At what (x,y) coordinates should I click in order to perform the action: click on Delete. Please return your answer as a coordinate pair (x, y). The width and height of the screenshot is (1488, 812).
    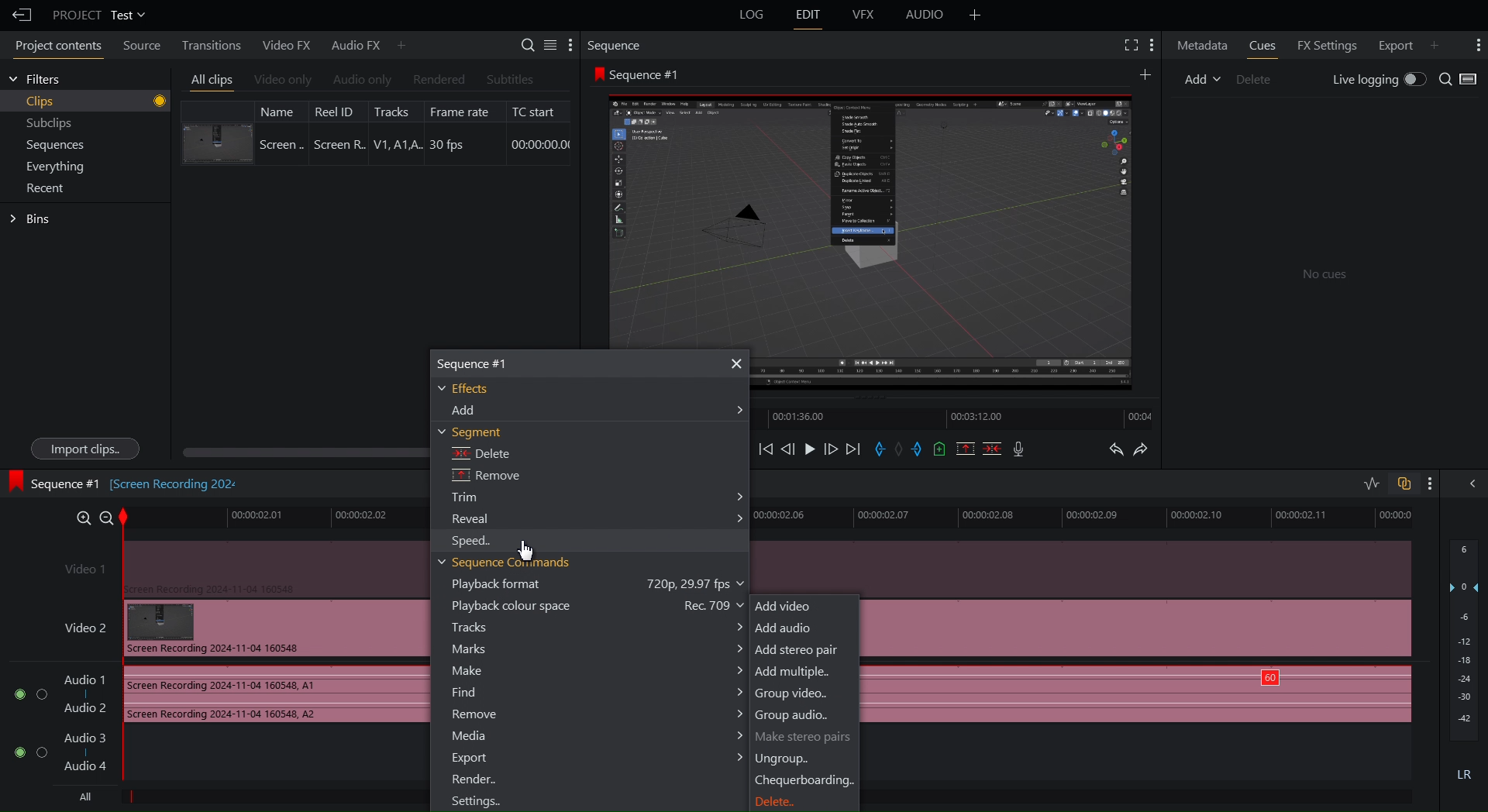
    Looking at the image, I should click on (481, 453).